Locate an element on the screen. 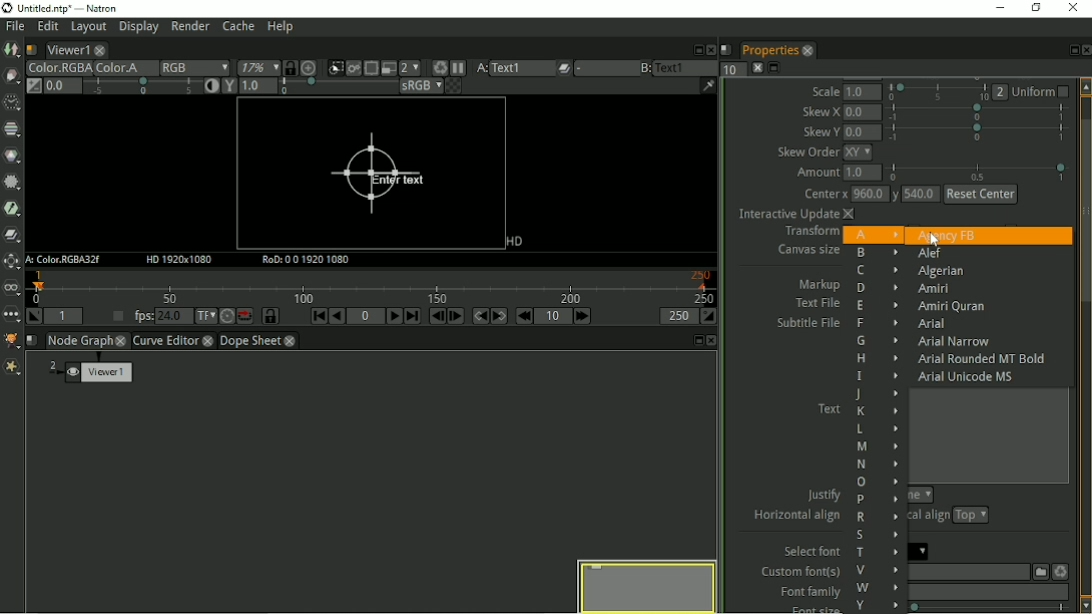 The height and width of the screenshot is (614, 1092). M is located at coordinates (878, 447).